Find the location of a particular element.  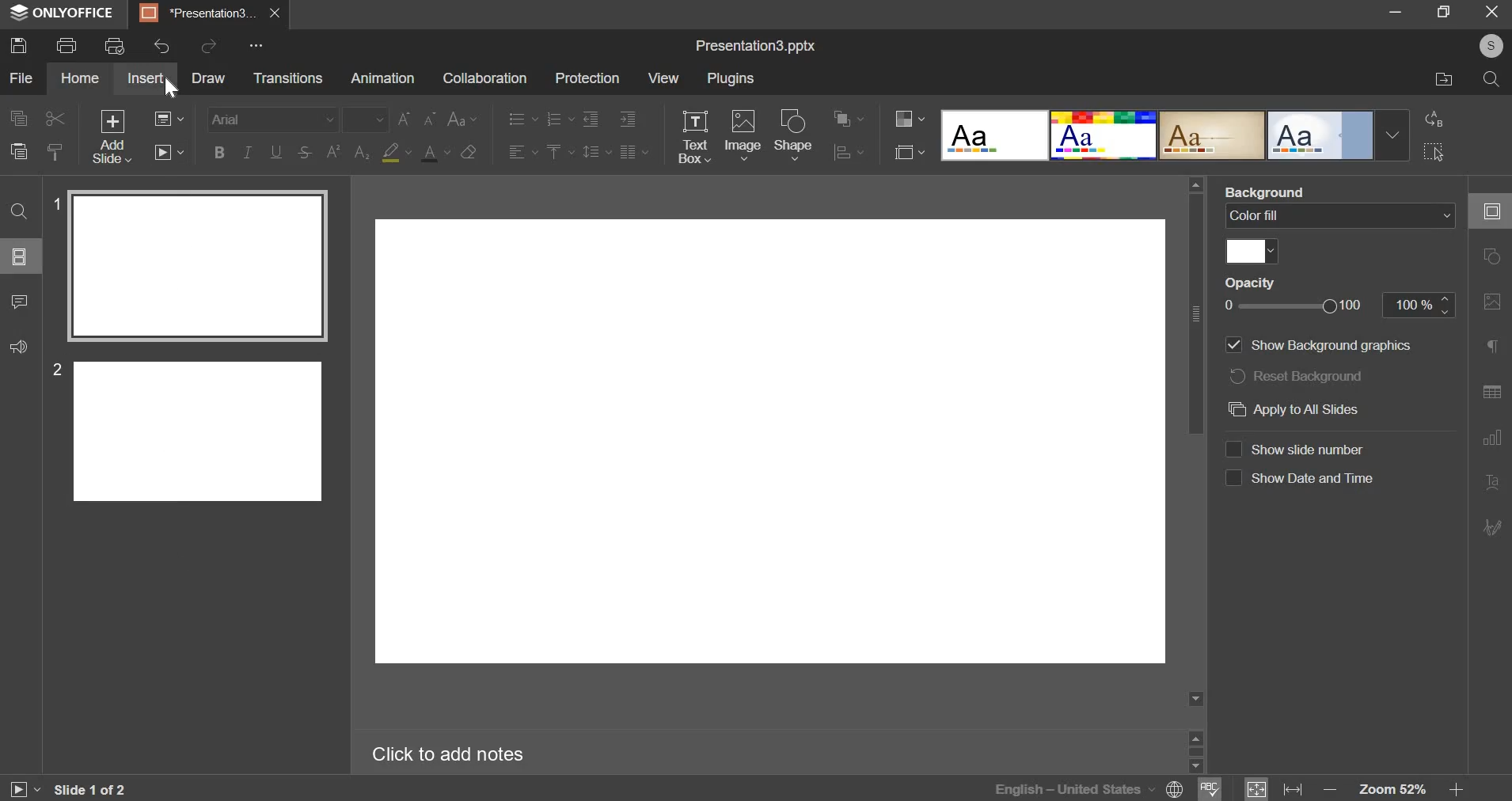

plugins is located at coordinates (731, 78).